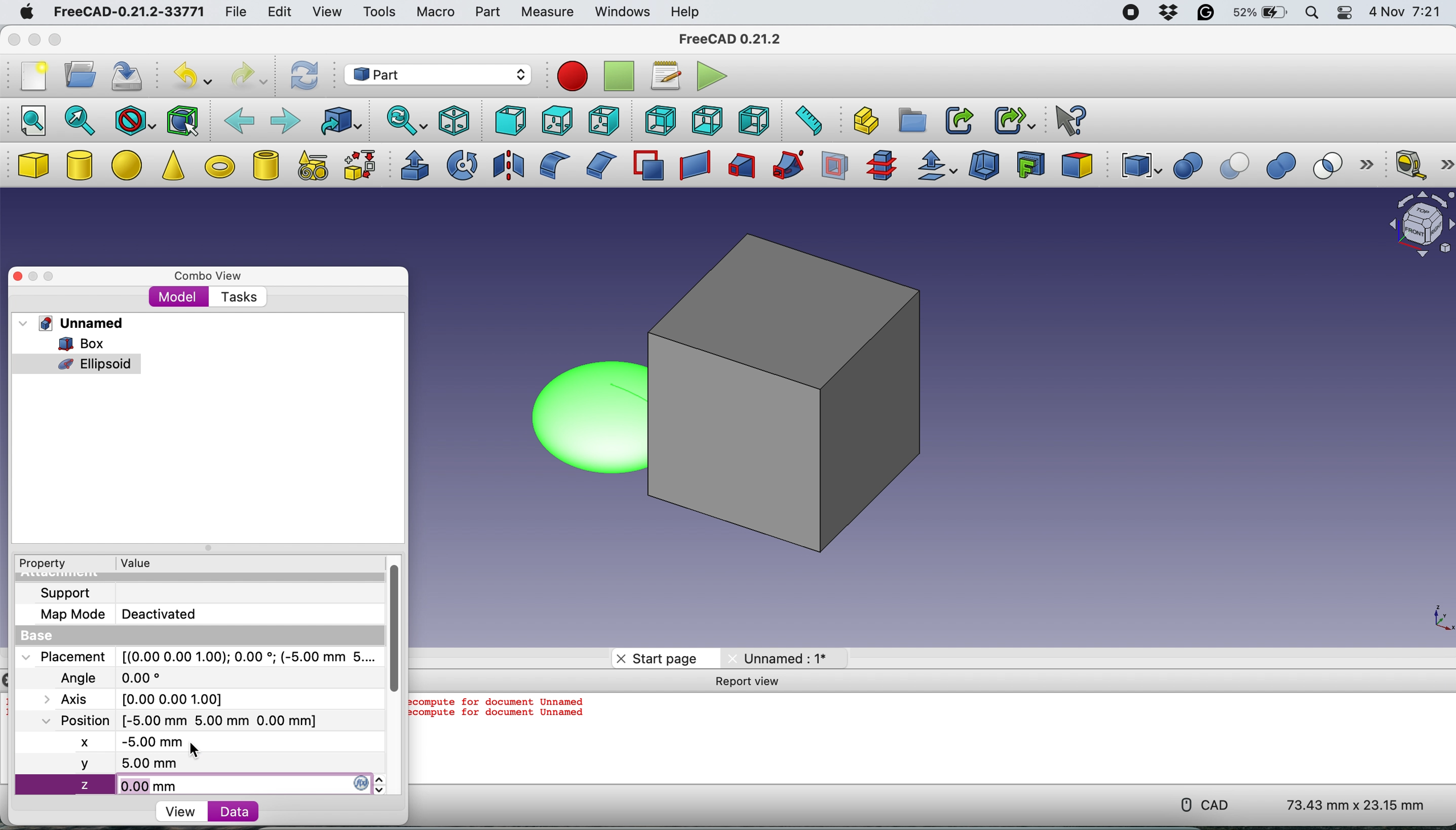 This screenshot has width=1456, height=830. I want to click on front, so click(508, 121).